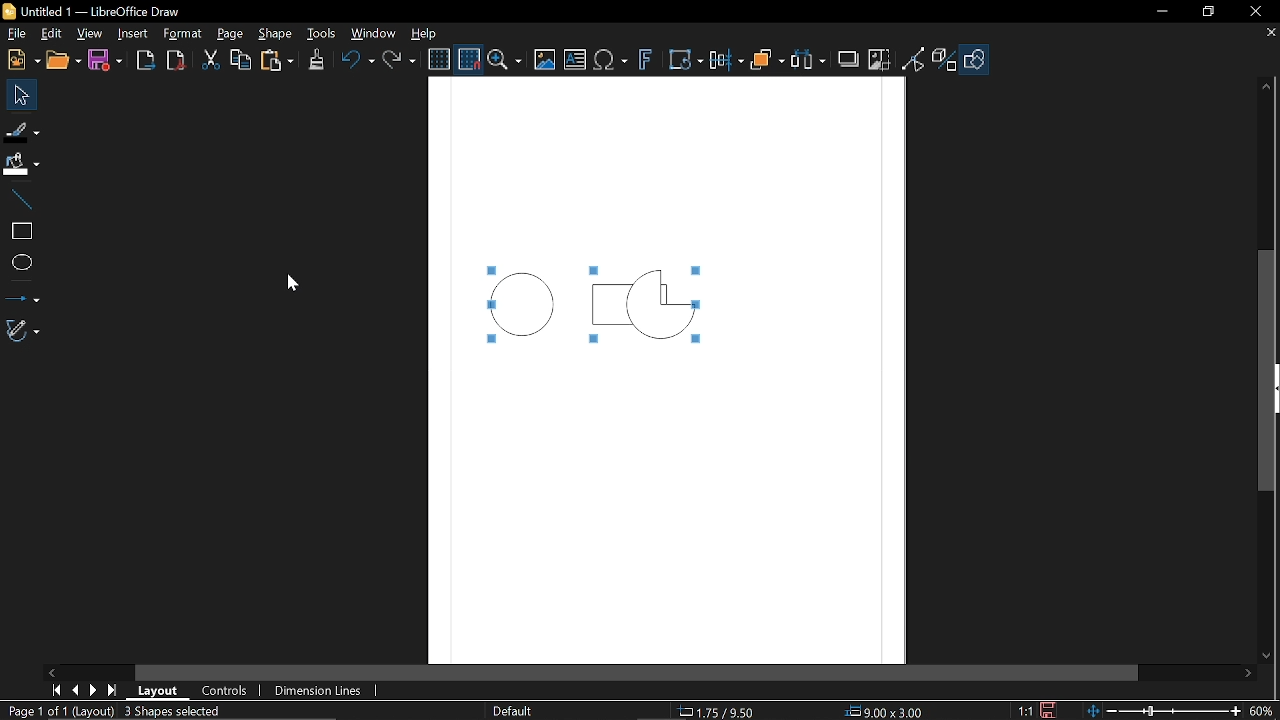  Describe the element at coordinates (241, 60) in the screenshot. I see `Copy` at that location.